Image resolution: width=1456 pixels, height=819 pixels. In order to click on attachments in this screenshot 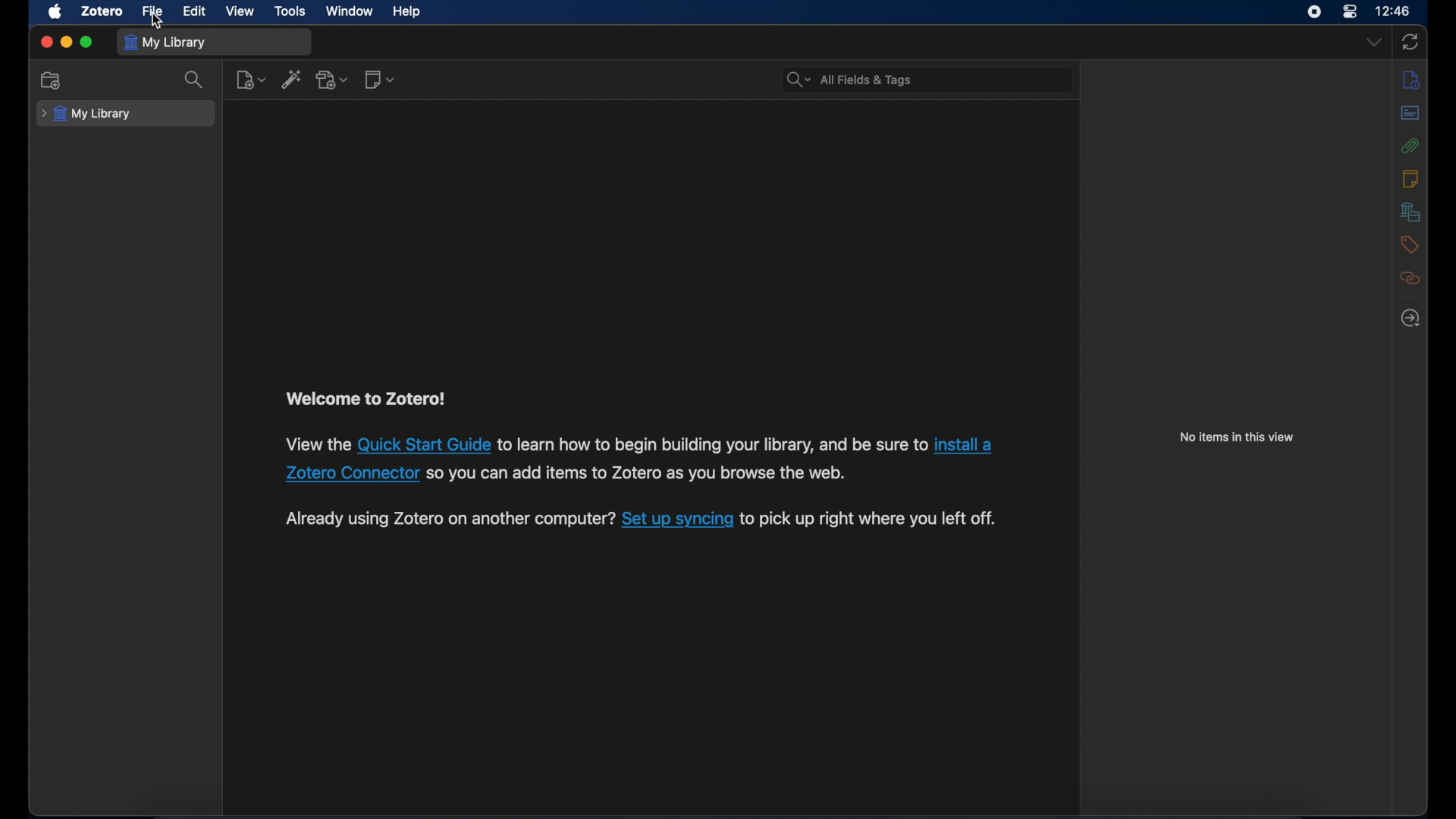, I will do `click(1411, 146)`.